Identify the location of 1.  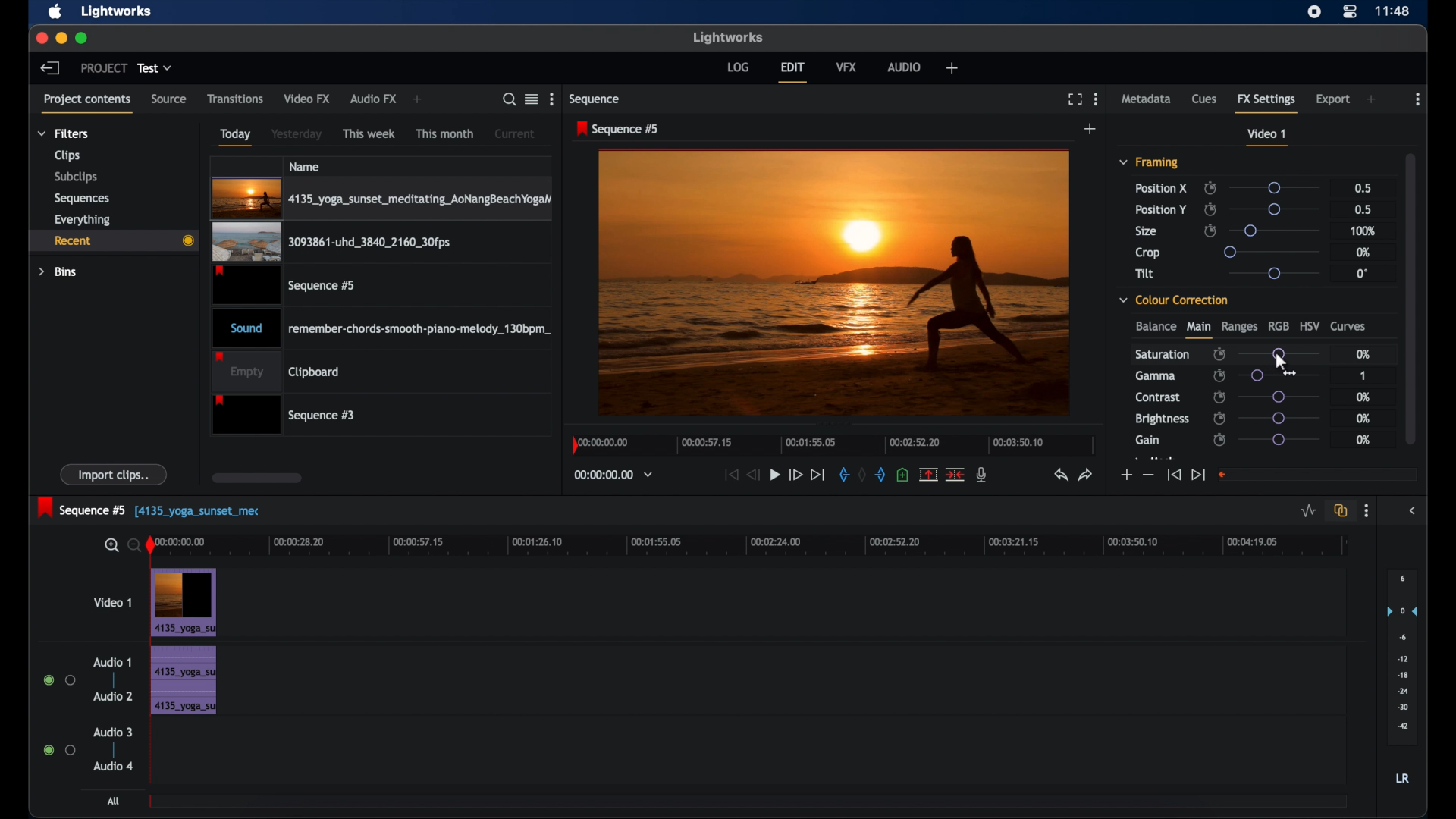
(1362, 375).